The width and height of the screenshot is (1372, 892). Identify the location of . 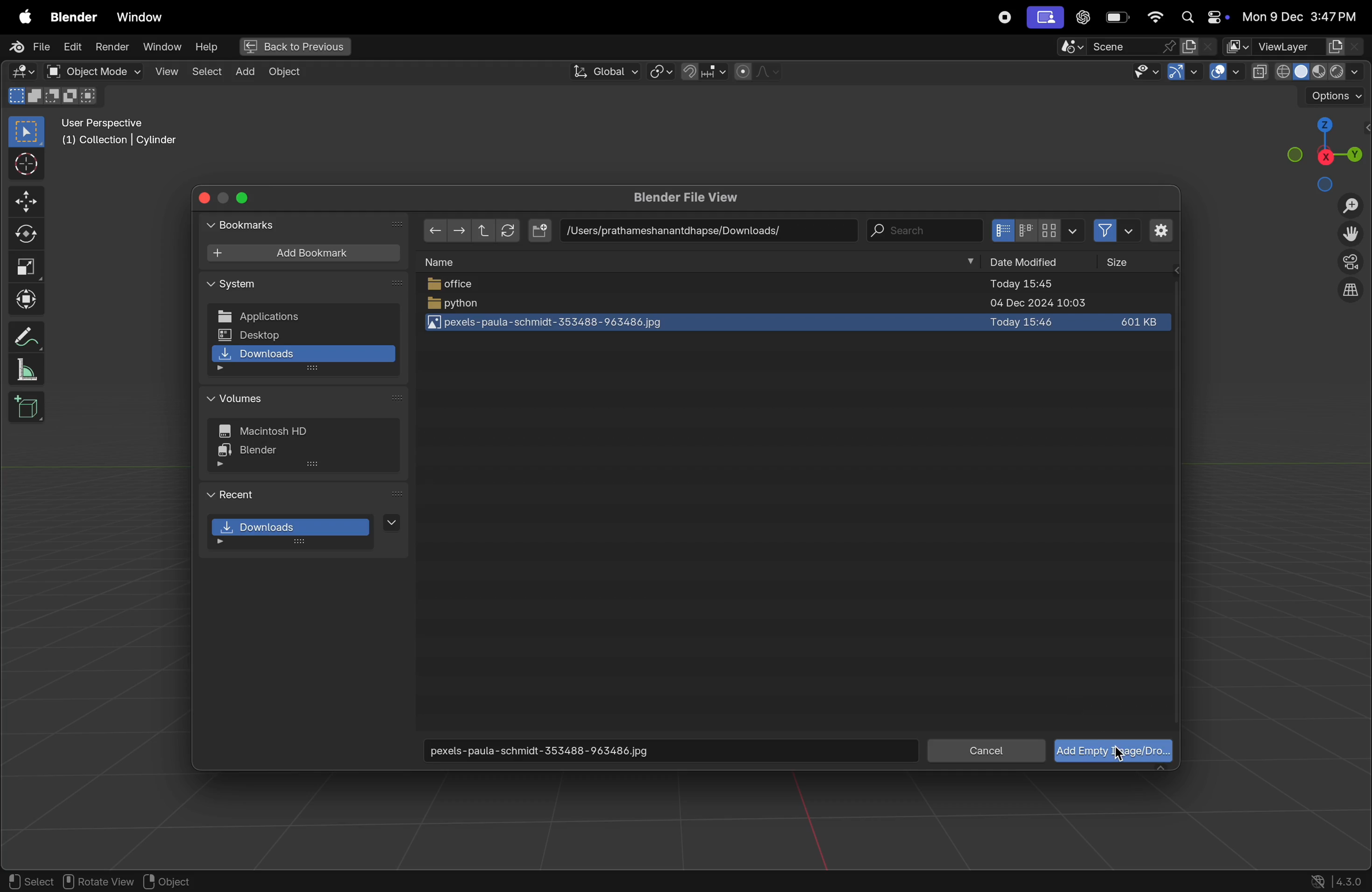
(798, 324).